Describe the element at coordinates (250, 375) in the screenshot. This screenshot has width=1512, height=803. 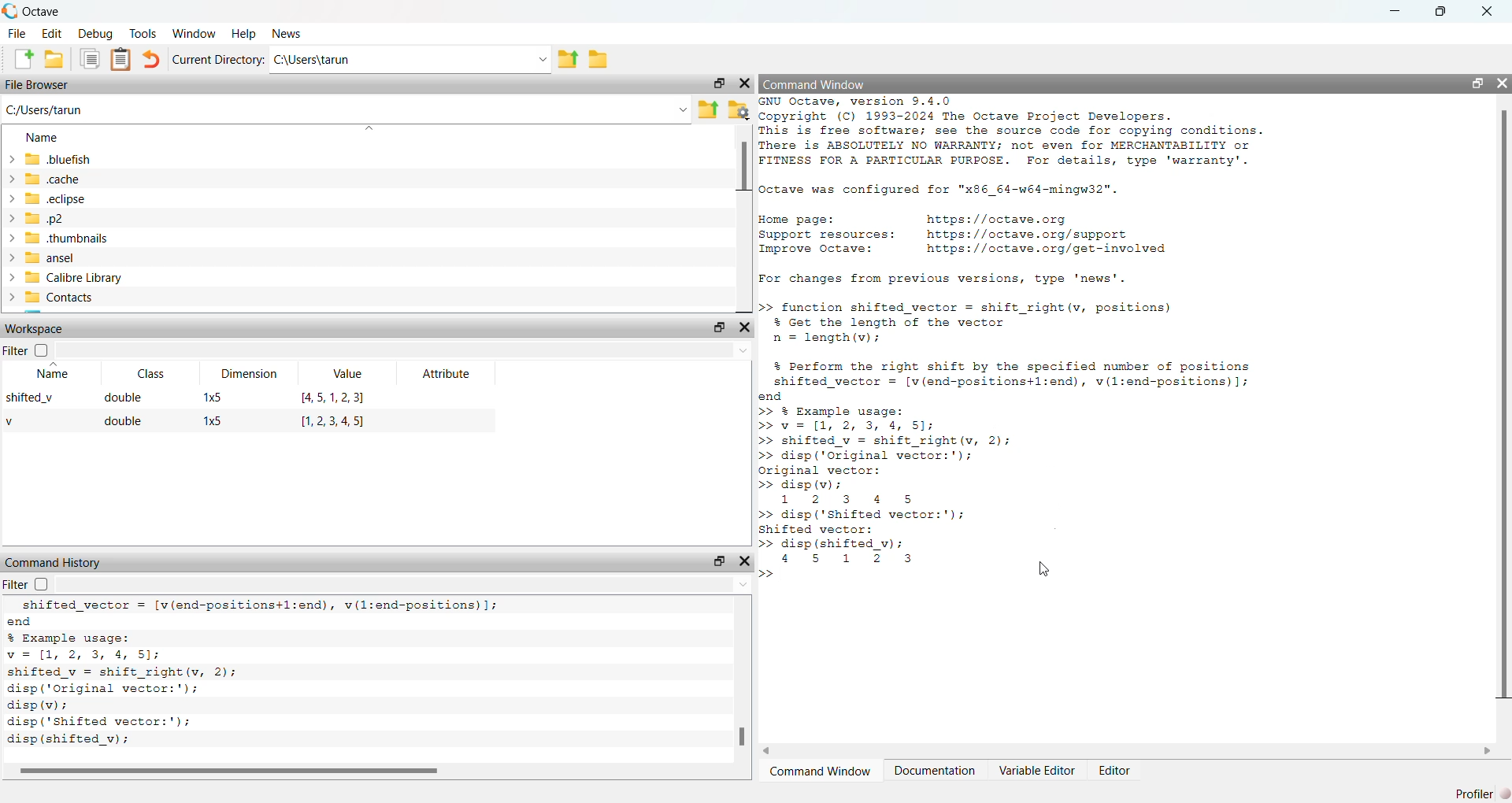
I see `dimension` at that location.